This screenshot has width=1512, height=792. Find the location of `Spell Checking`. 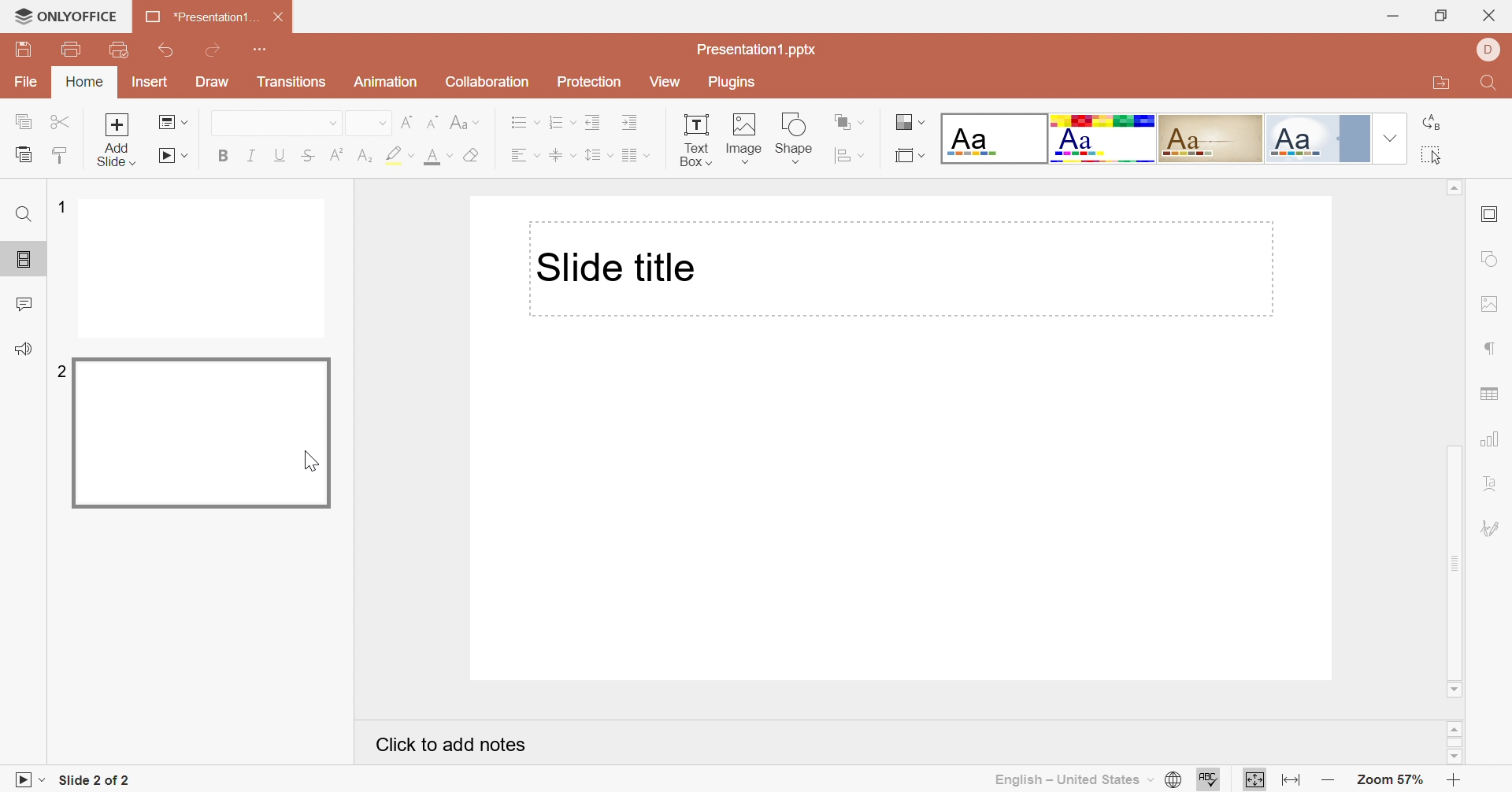

Spell Checking is located at coordinates (1212, 780).